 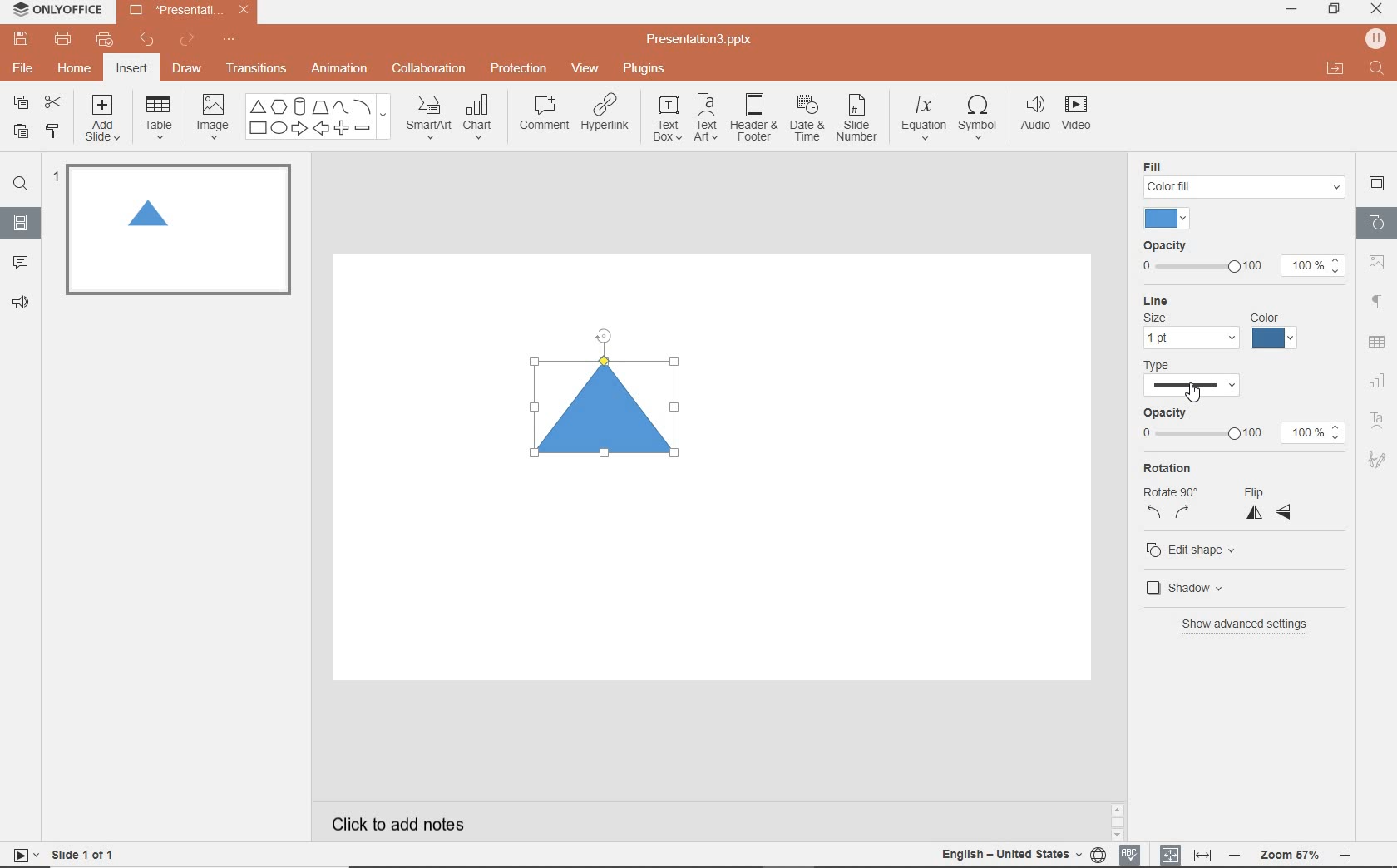 I want to click on TABLE, so click(x=159, y=118).